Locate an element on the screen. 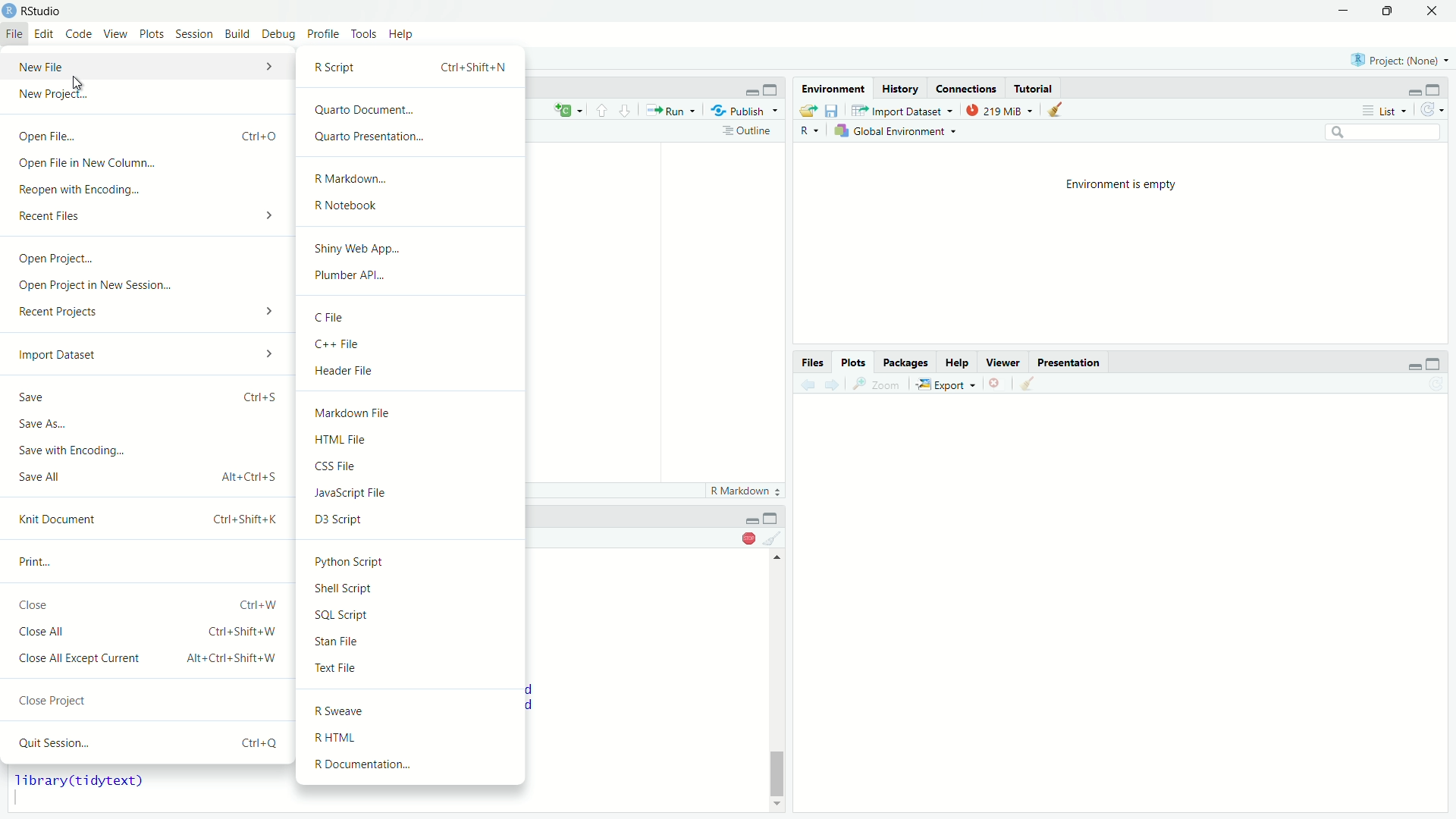  View is located at coordinates (116, 34).